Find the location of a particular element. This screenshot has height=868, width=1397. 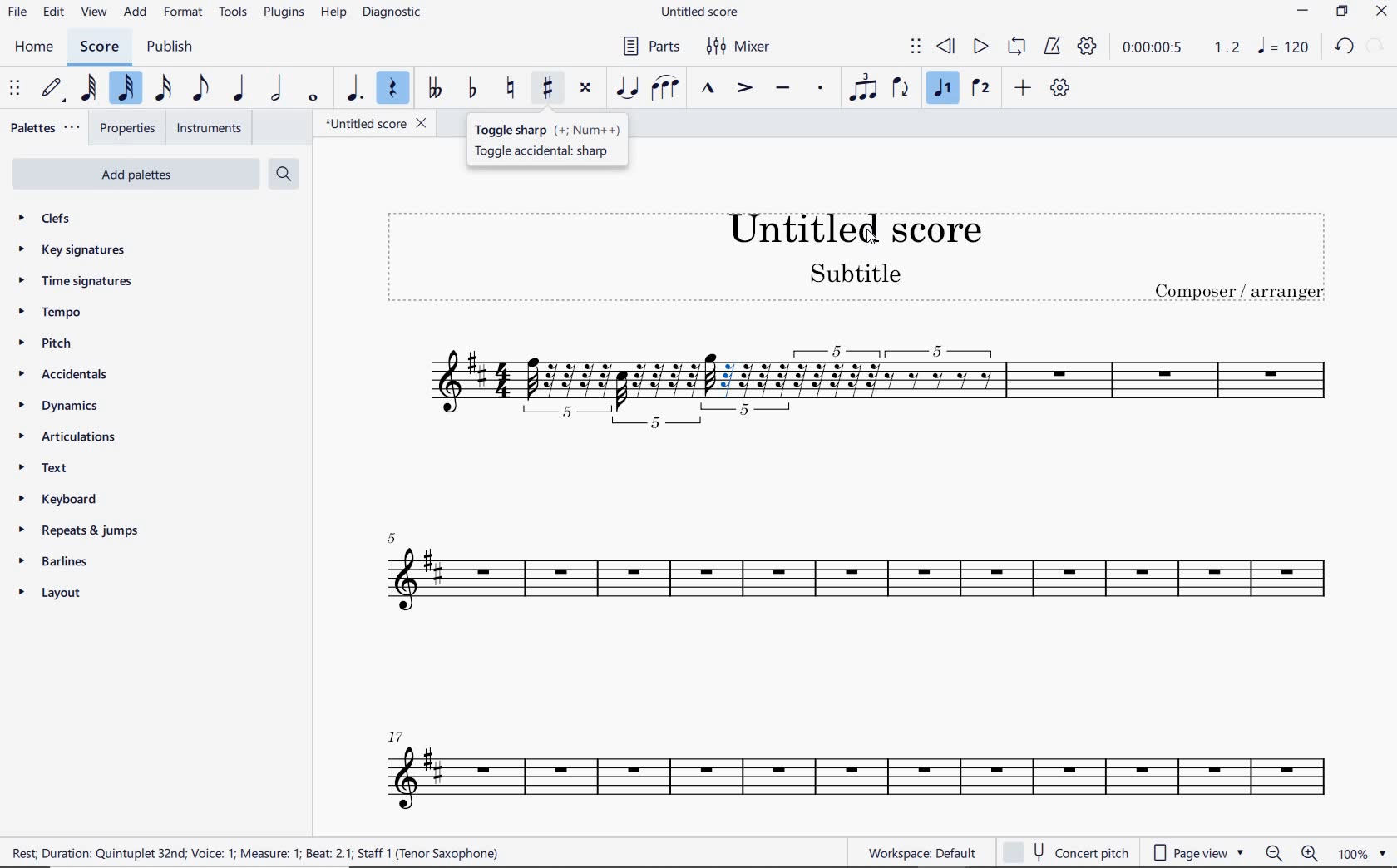

LOOP PLAYBACK is located at coordinates (1019, 47).